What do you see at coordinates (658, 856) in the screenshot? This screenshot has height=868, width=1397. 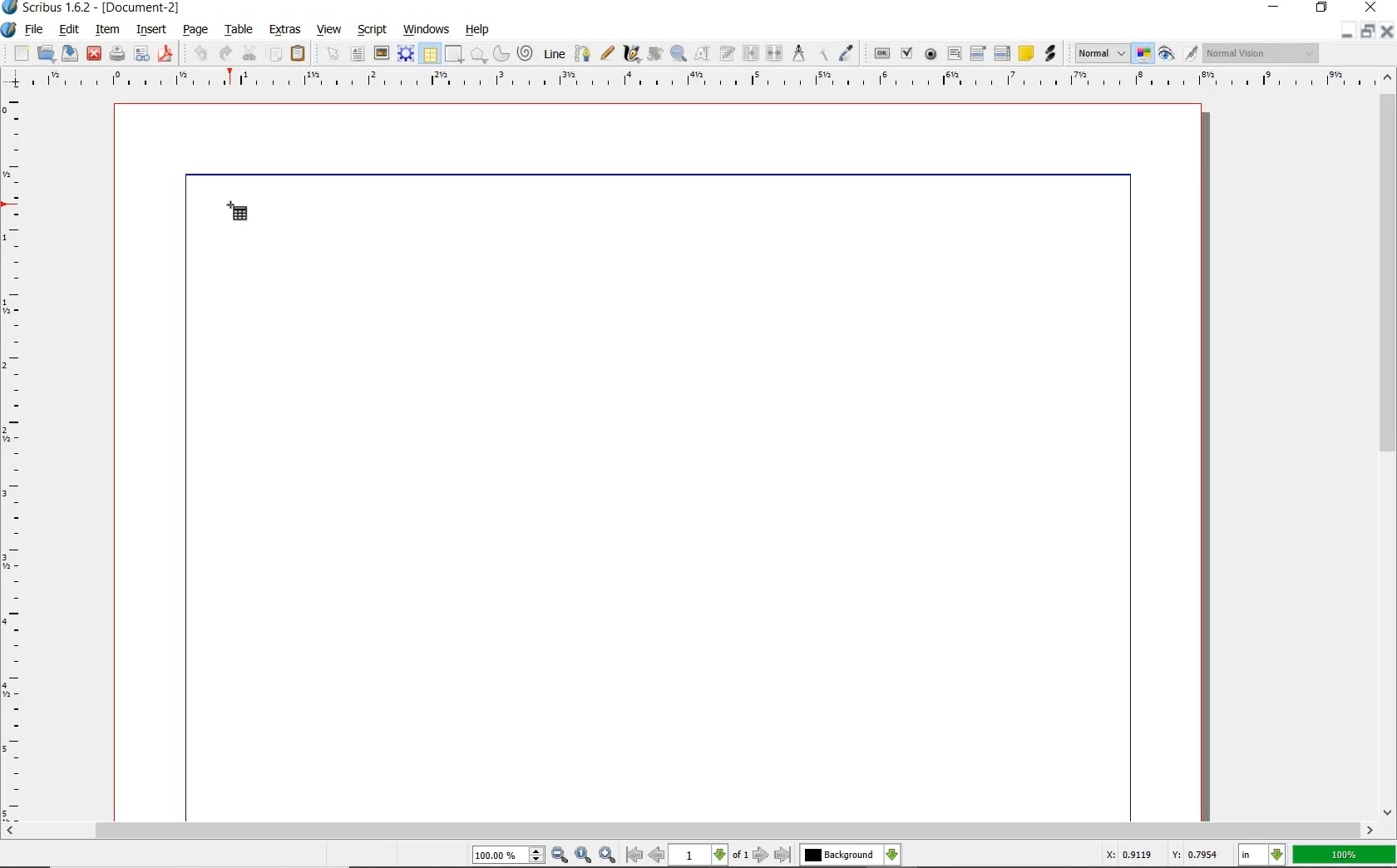 I see `go to previous page` at bounding box center [658, 856].